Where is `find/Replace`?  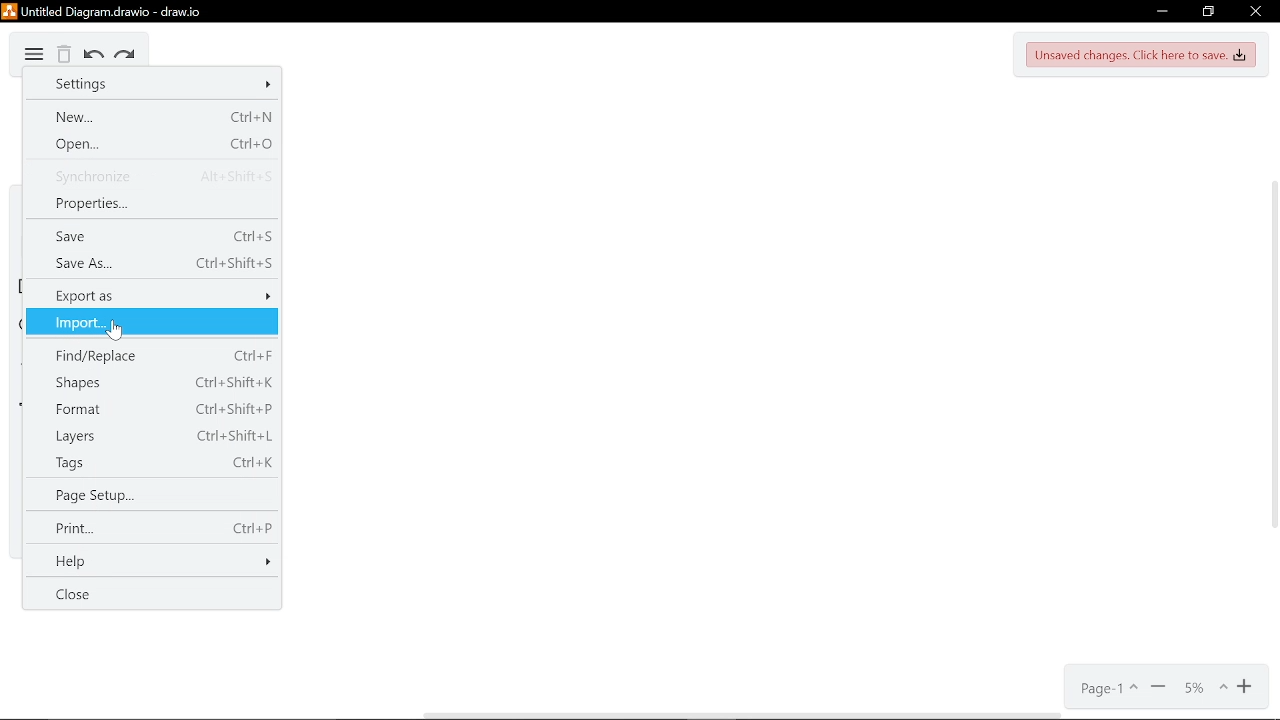
find/Replace is located at coordinates (154, 355).